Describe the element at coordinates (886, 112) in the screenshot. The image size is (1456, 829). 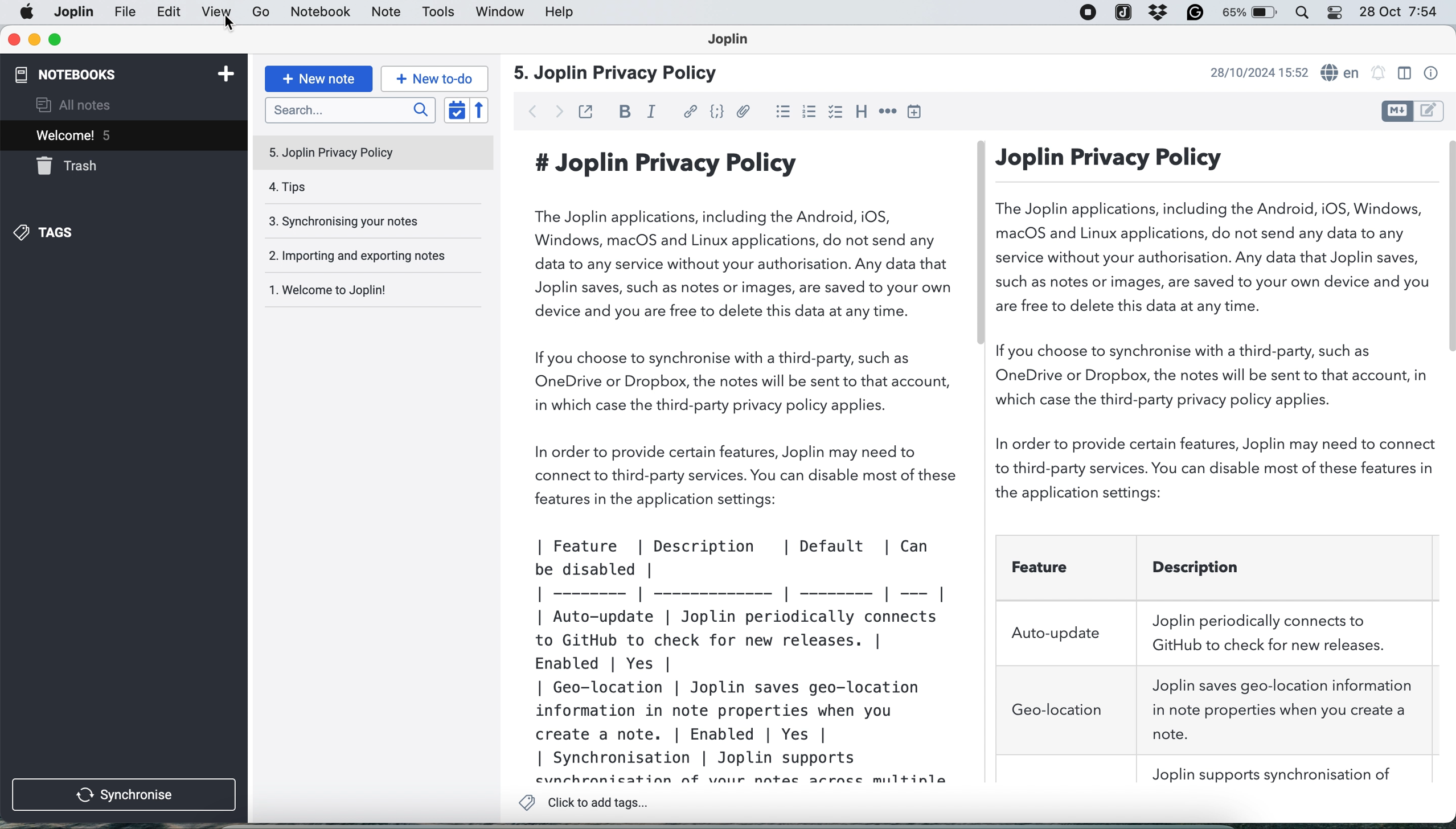
I see `horizontal rule` at that location.